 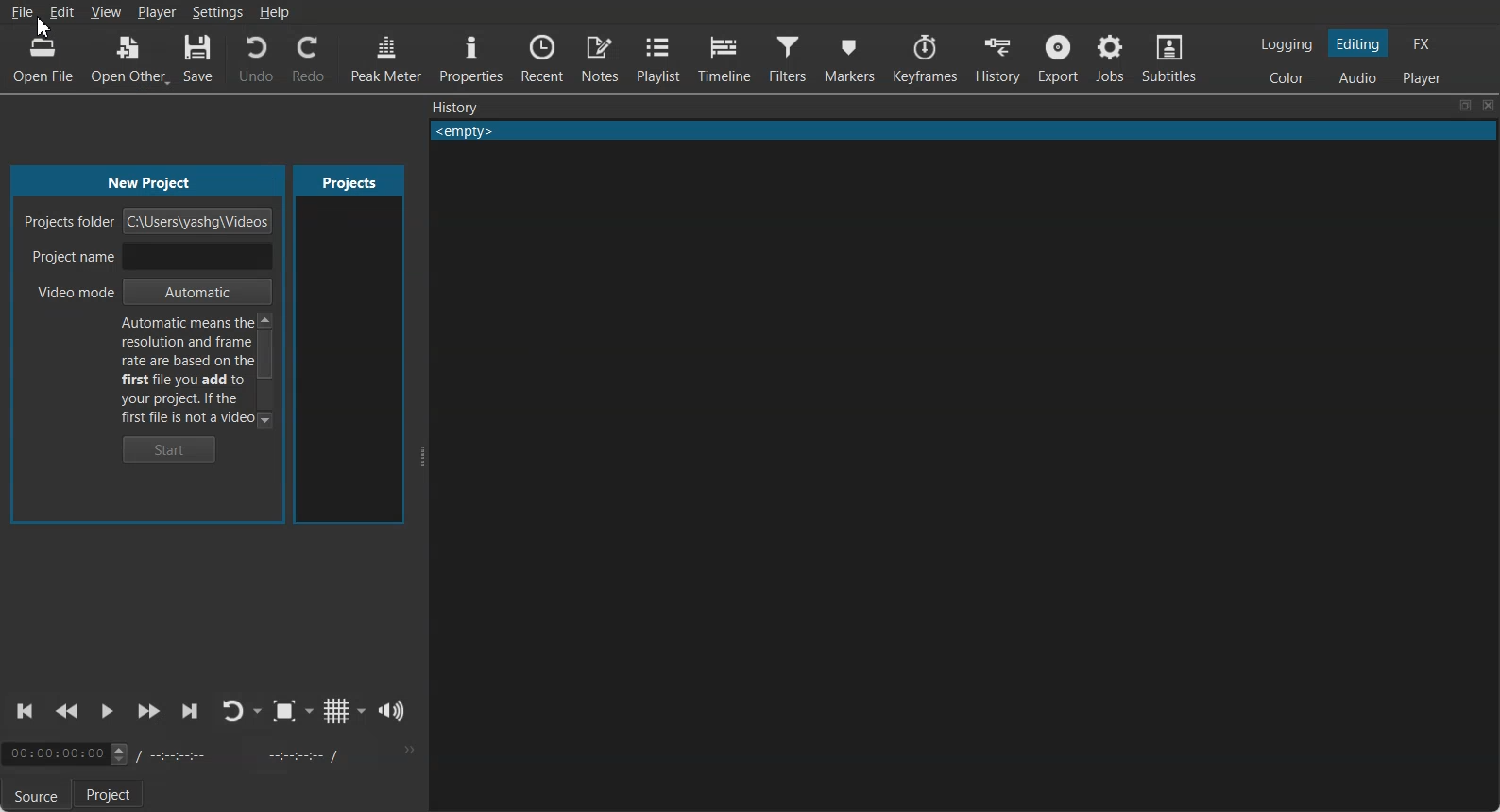 I want to click on Recording time, so click(x=244, y=754).